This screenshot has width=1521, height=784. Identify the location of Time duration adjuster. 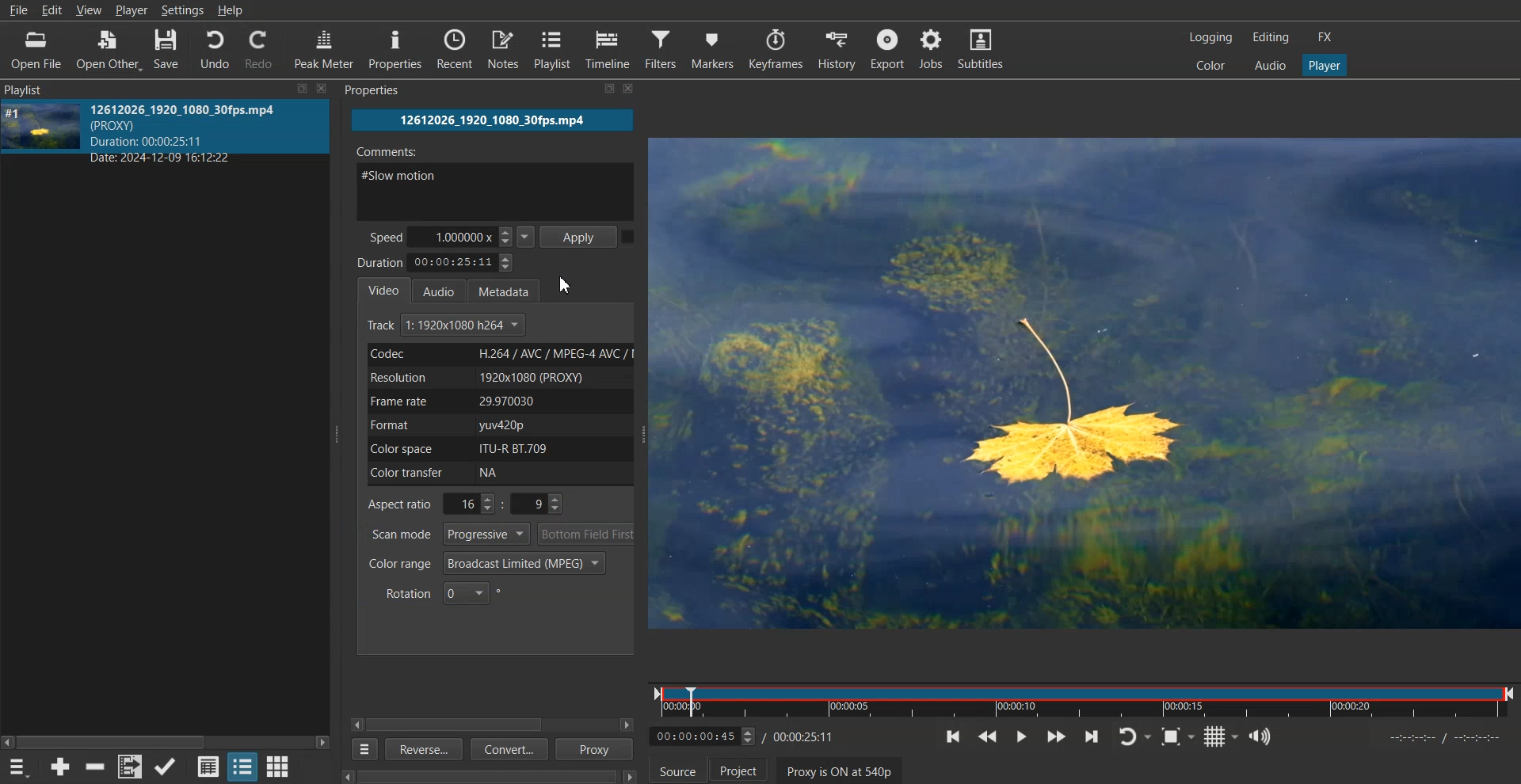
(437, 262).